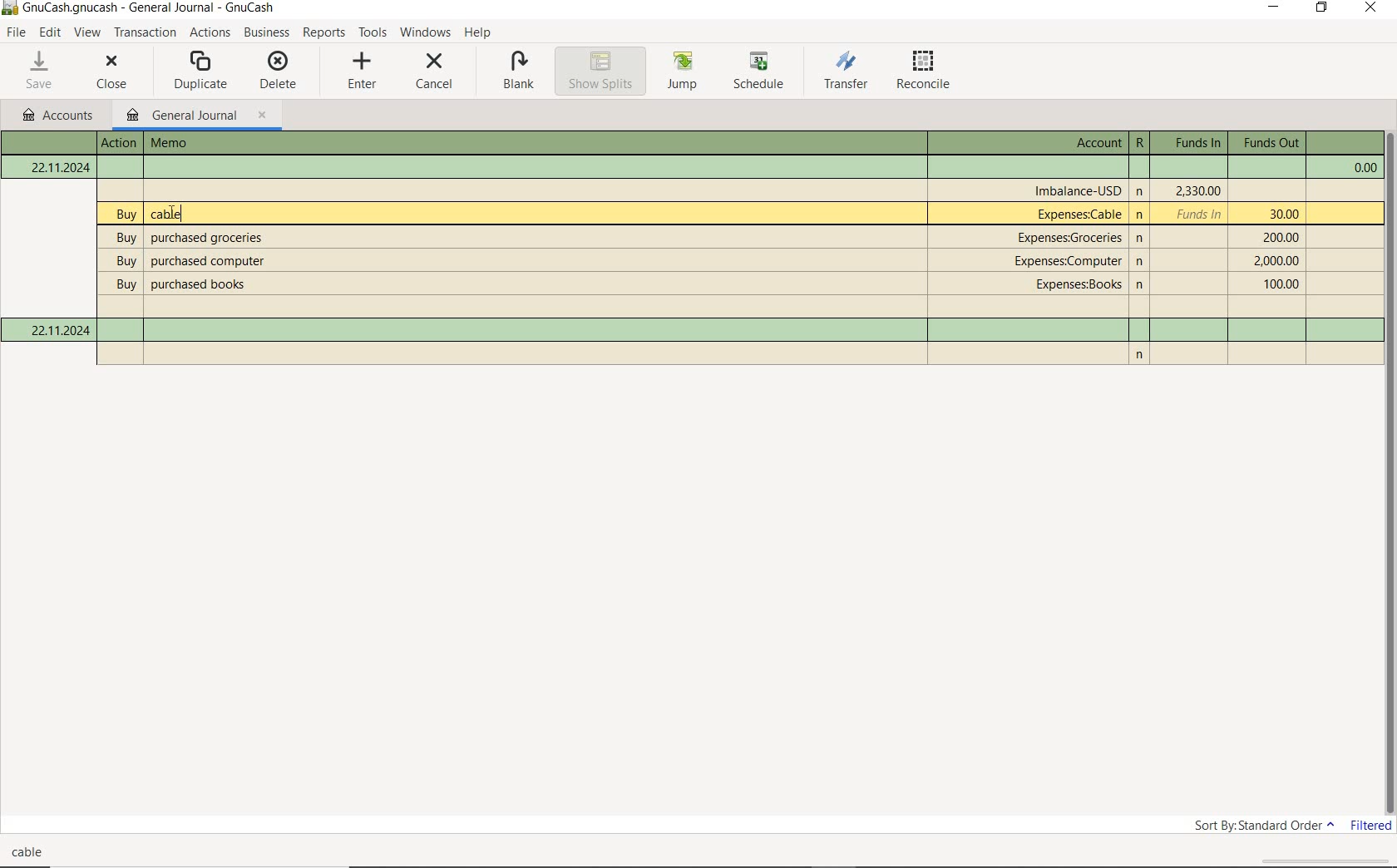  I want to click on FILE, so click(14, 34).